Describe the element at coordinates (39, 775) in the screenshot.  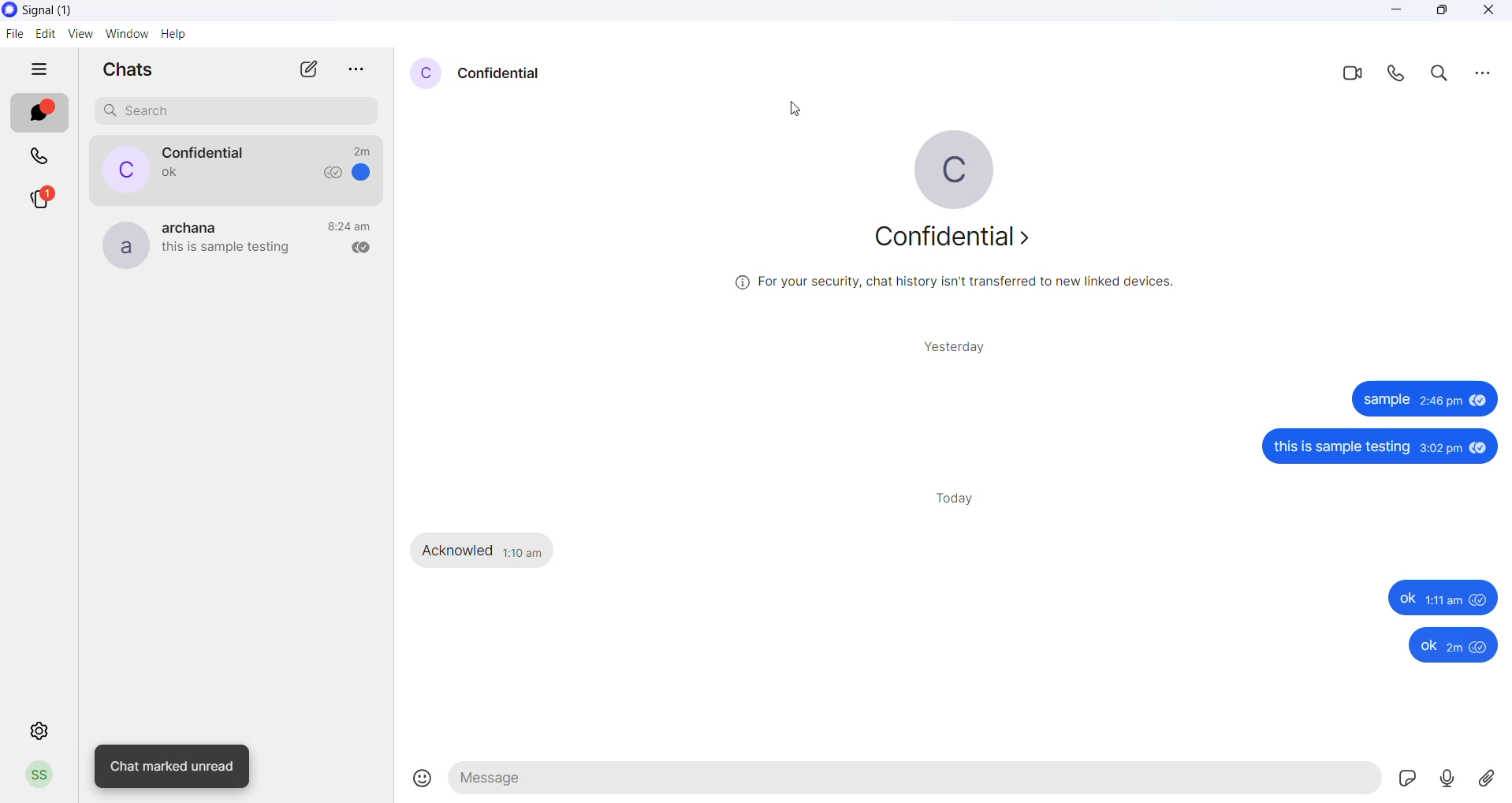
I see `profile` at that location.